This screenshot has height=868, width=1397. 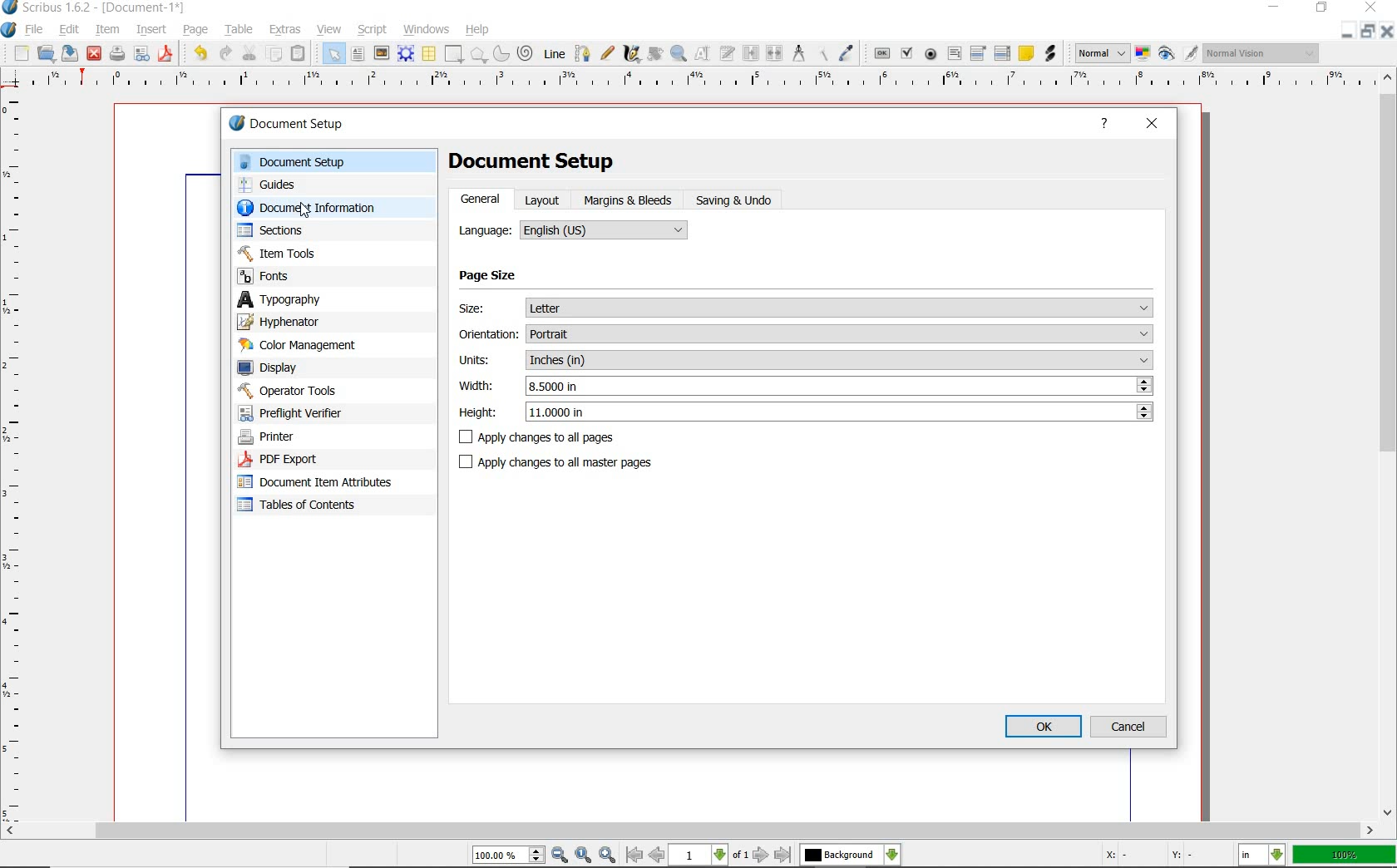 I want to click on extras, so click(x=286, y=30).